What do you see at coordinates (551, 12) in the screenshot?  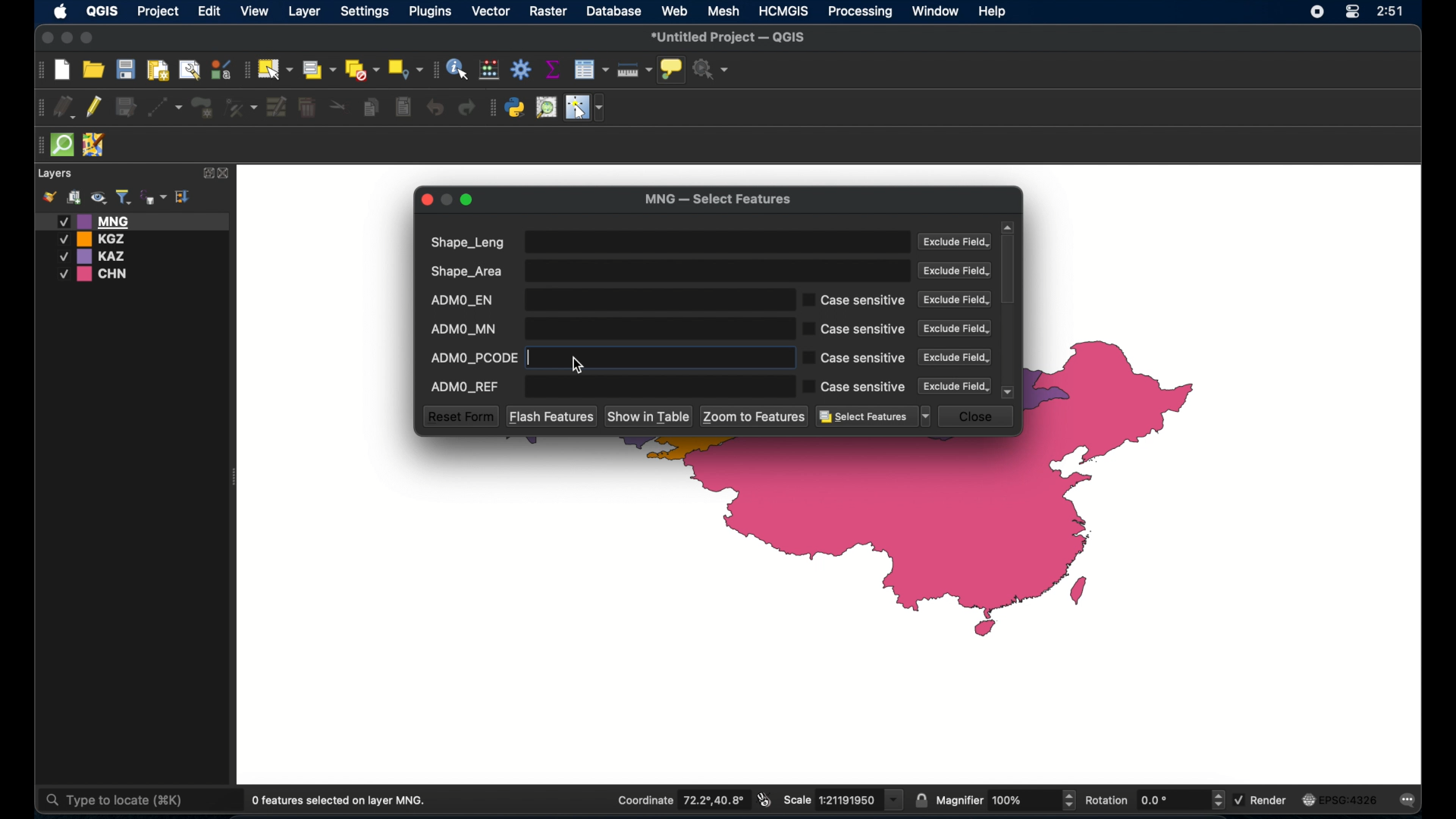 I see `raster` at bounding box center [551, 12].